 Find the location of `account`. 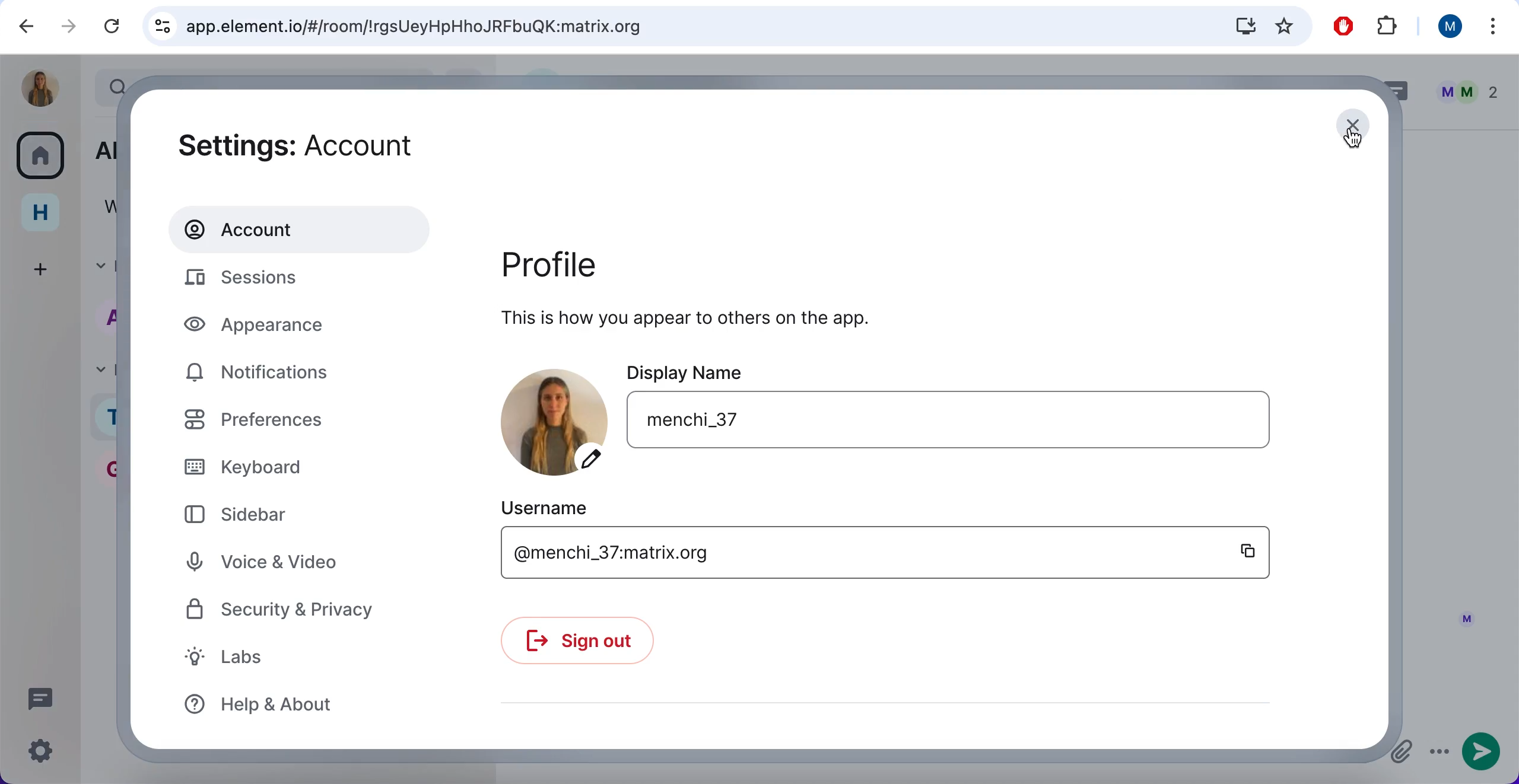

account is located at coordinates (303, 227).